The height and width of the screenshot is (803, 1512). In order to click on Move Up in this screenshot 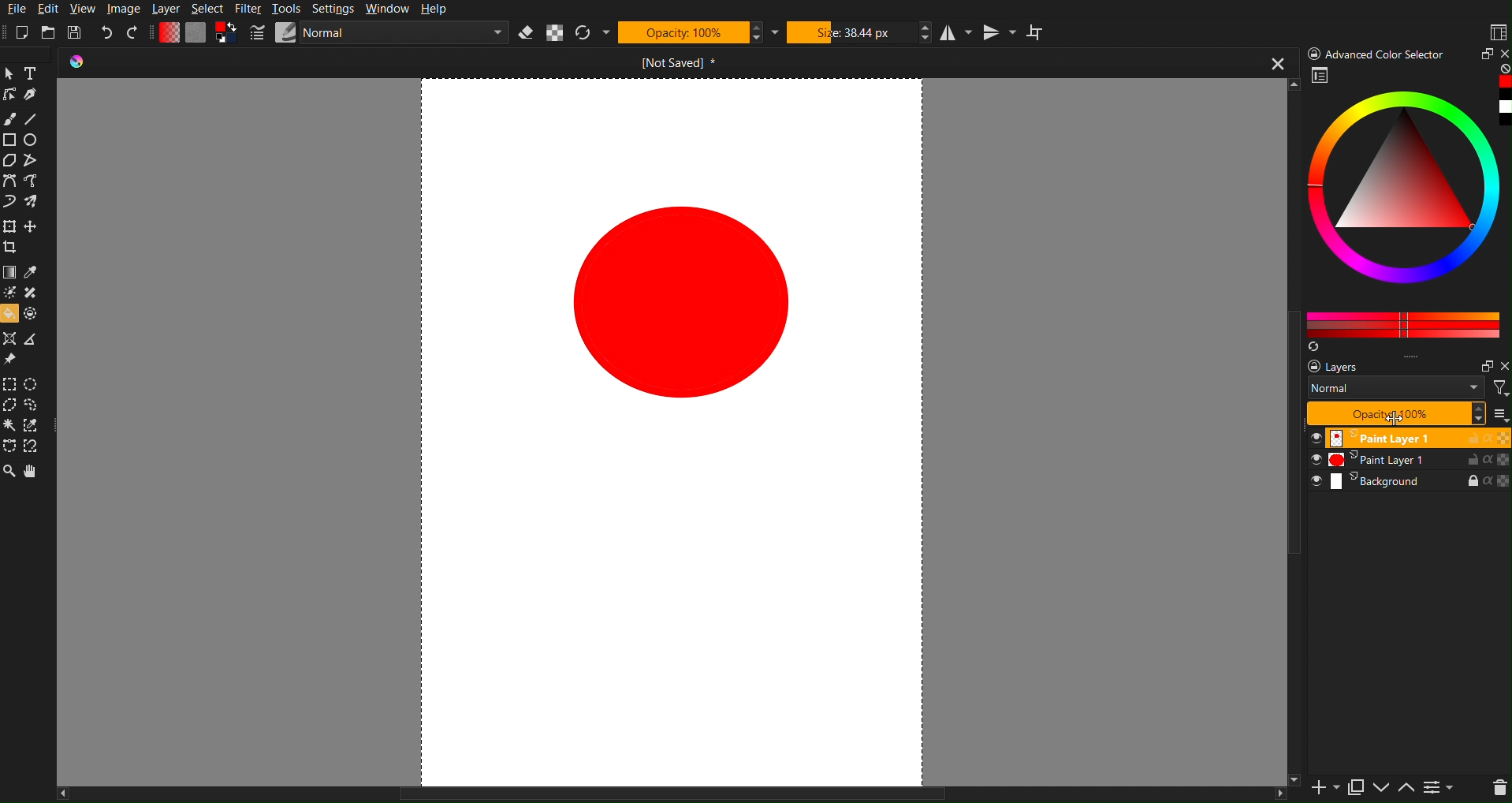, I will do `click(1382, 791)`.